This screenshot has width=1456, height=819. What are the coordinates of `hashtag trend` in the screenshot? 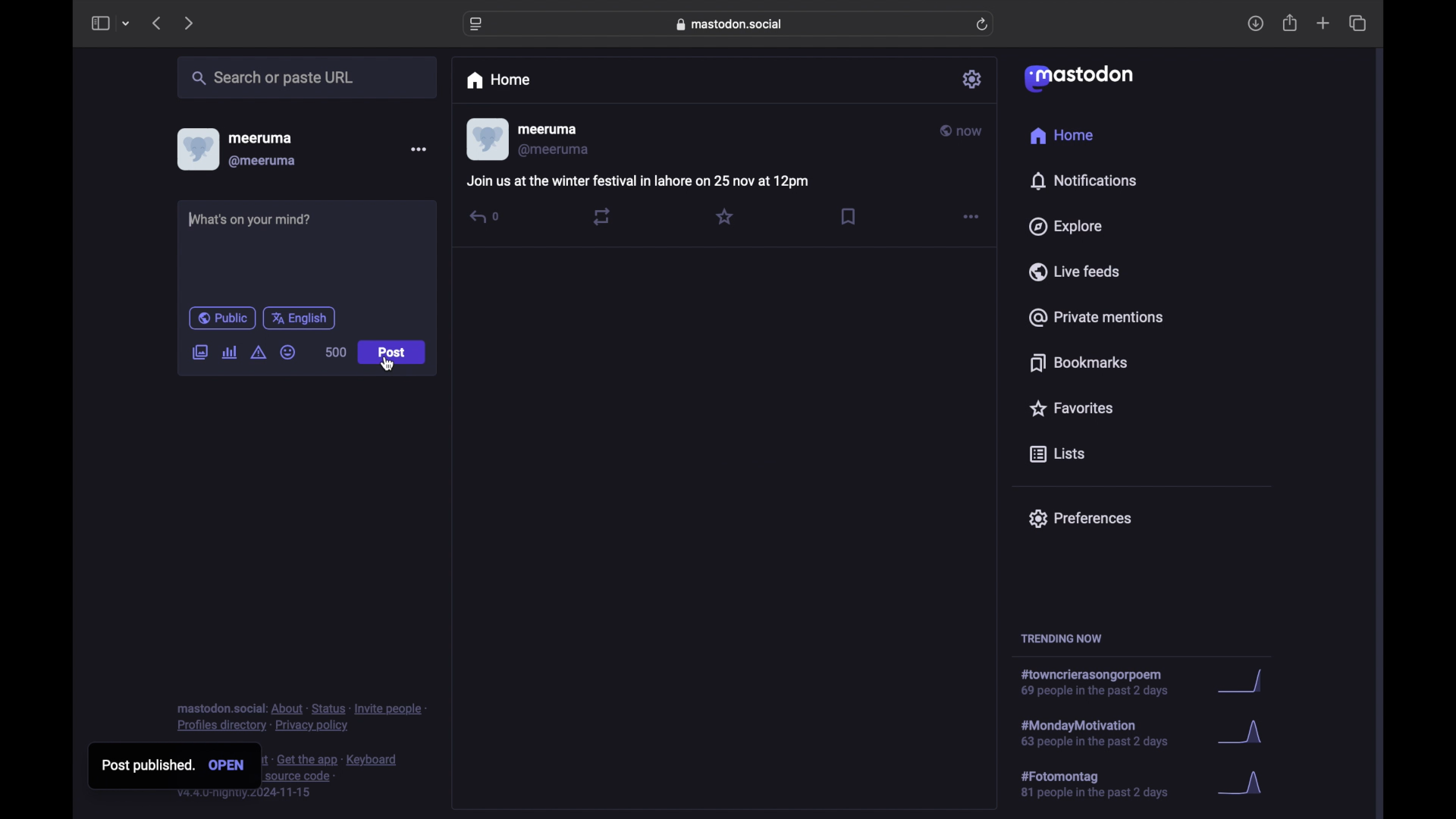 It's located at (1105, 785).